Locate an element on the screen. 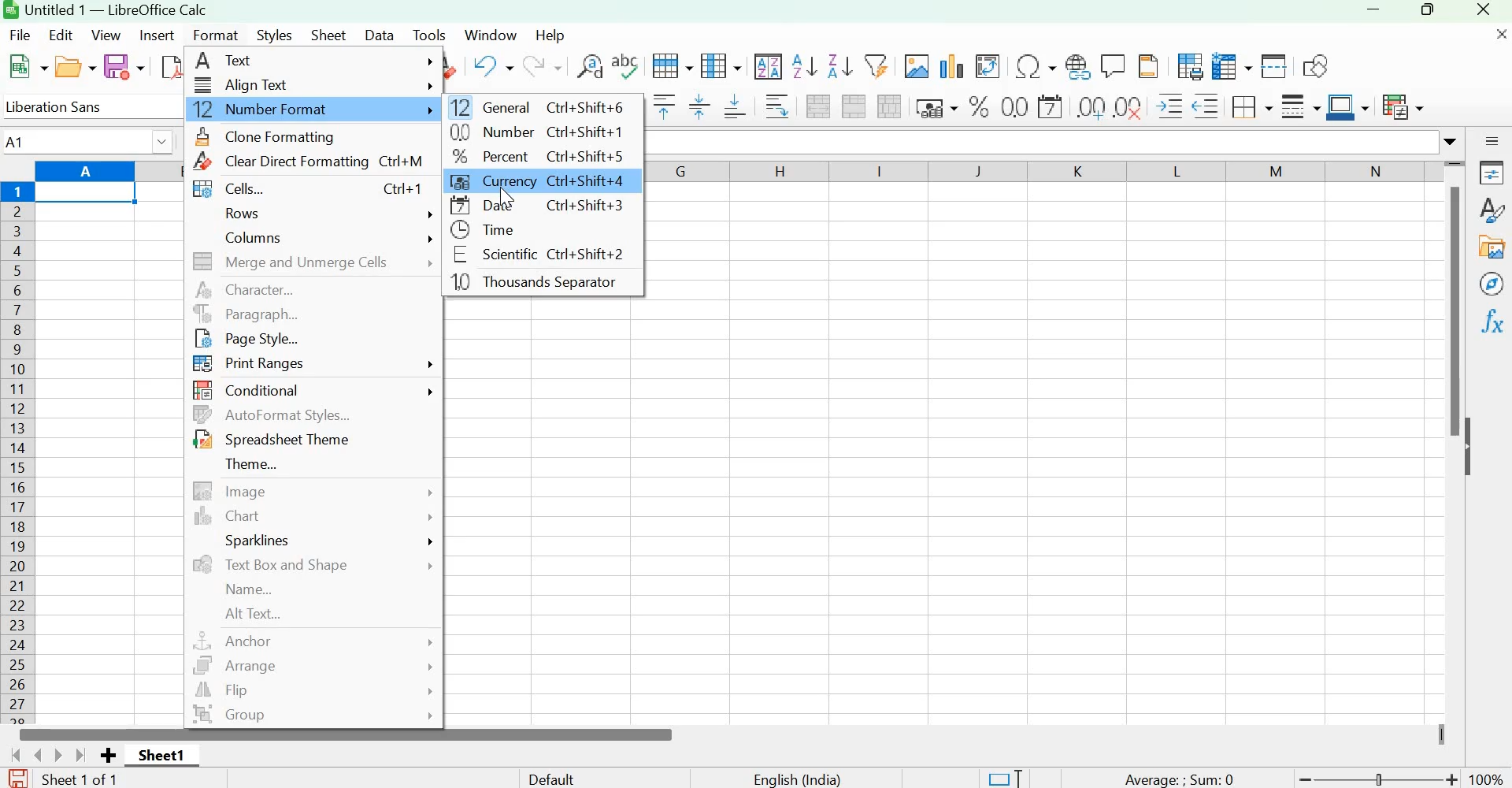  Format as Number is located at coordinates (1015, 107).